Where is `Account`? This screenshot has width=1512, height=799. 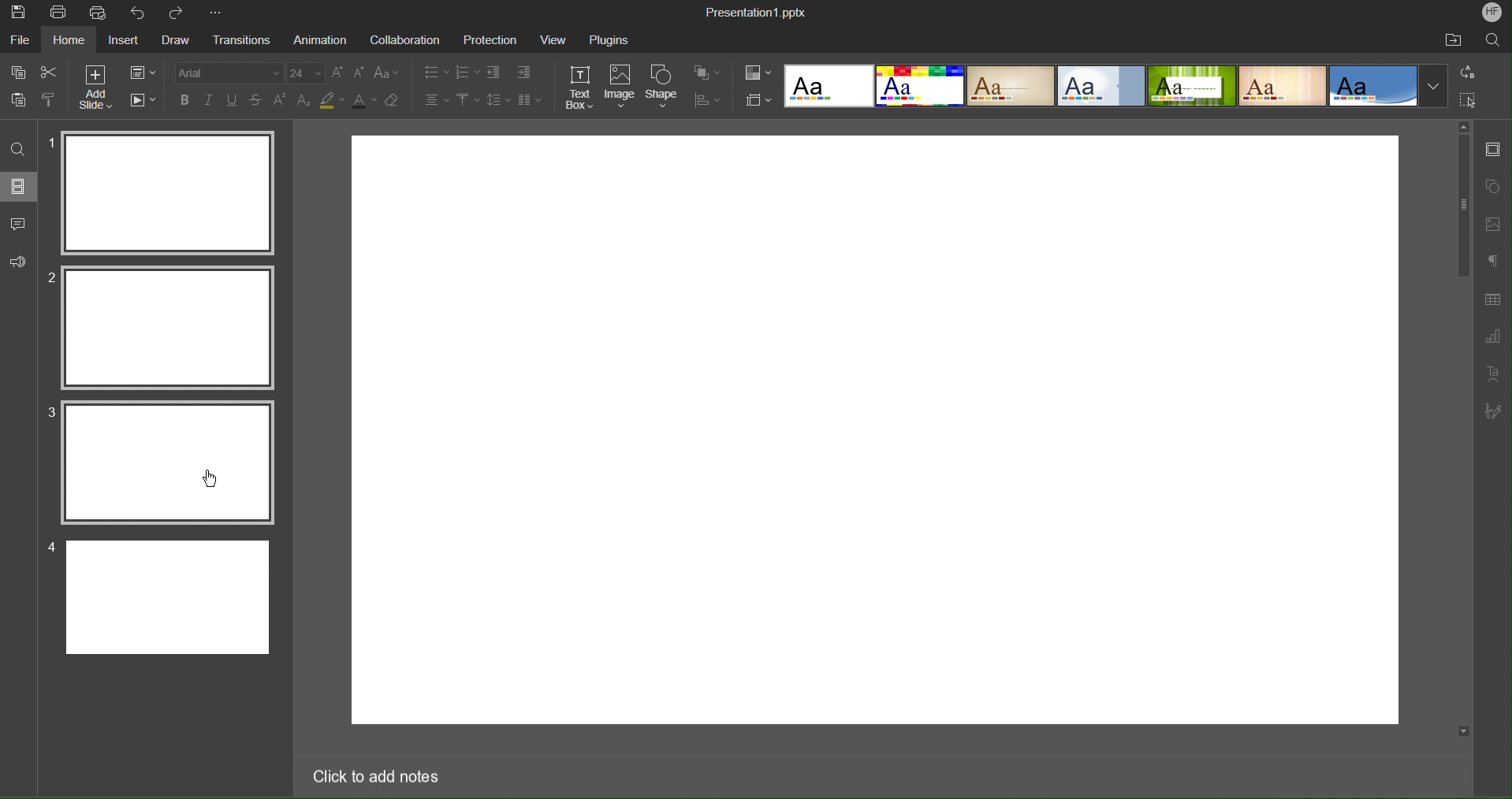
Account is located at coordinates (1490, 13).